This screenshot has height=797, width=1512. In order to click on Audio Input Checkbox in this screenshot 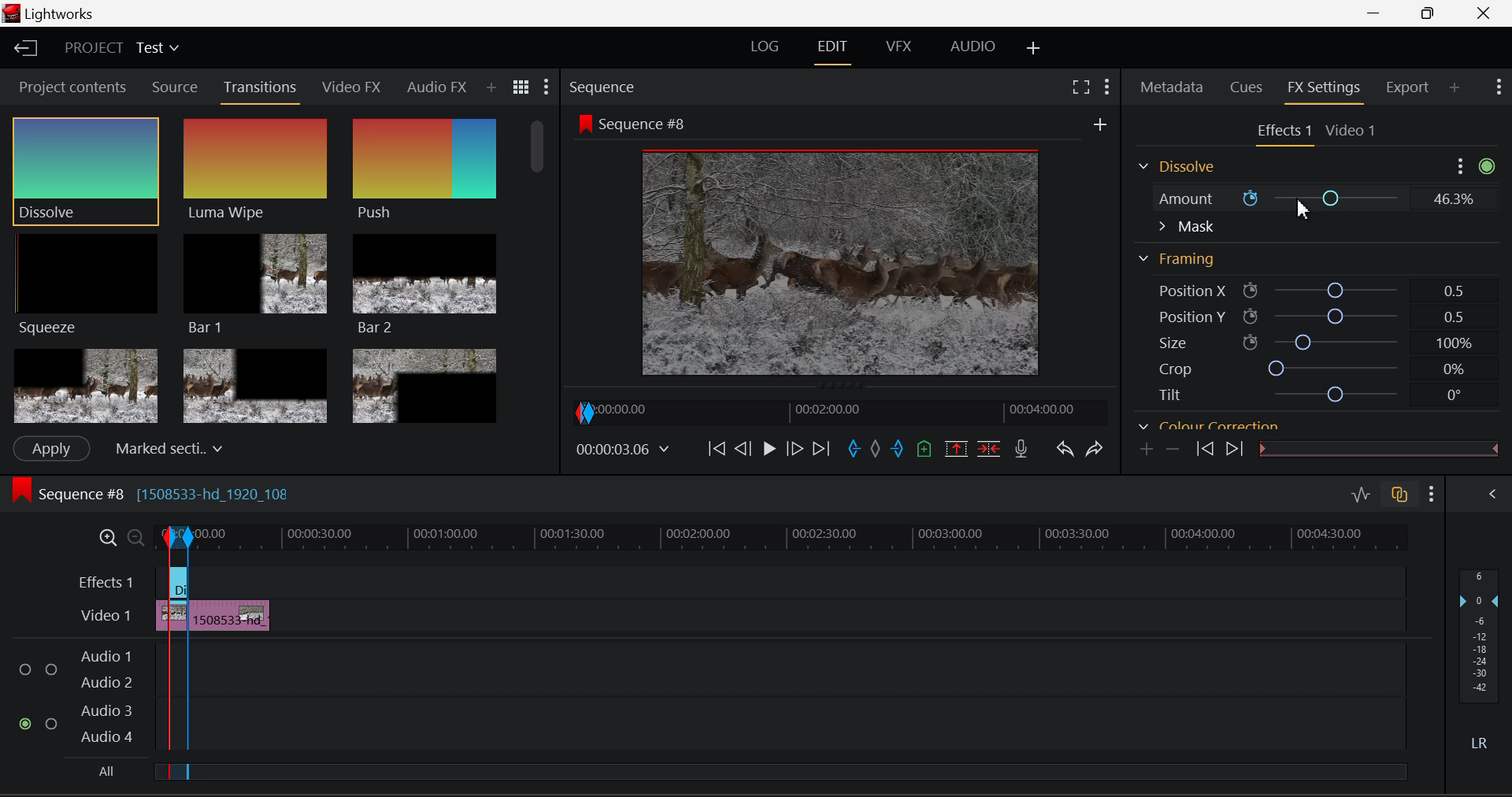, I will do `click(52, 721)`.